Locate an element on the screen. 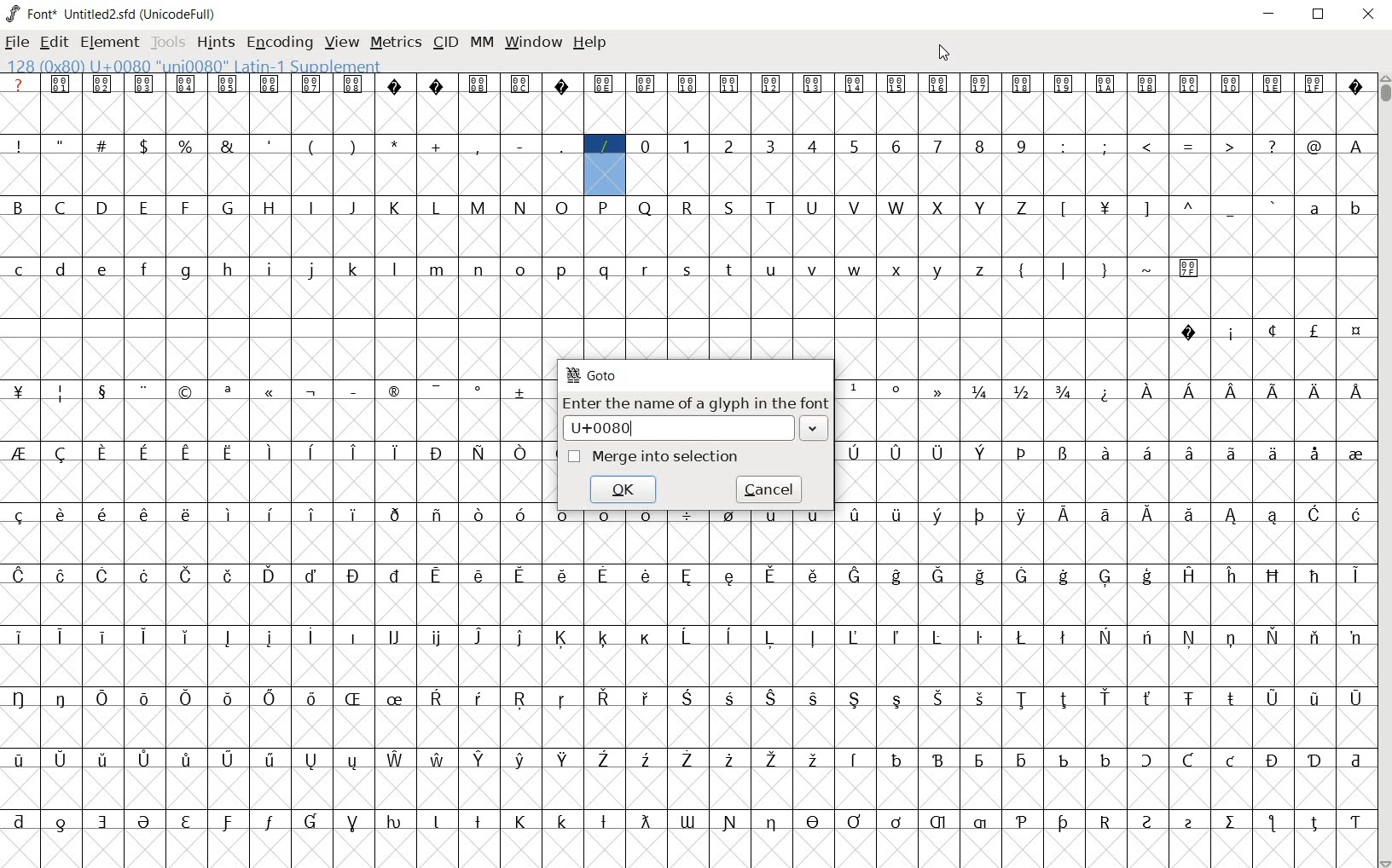  glyph is located at coordinates (394, 515).